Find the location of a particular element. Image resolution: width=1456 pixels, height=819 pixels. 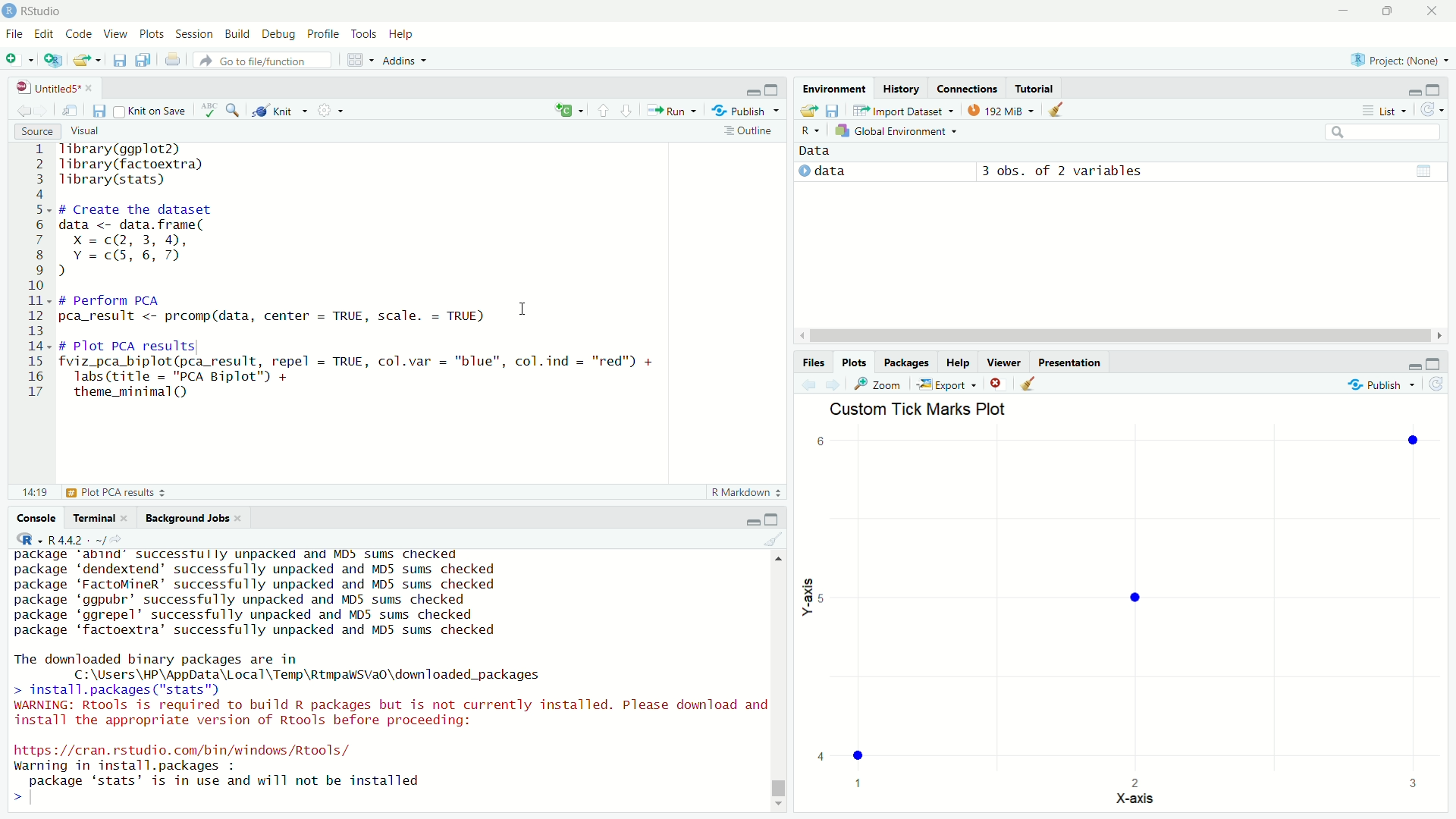

publish is located at coordinates (1382, 382).